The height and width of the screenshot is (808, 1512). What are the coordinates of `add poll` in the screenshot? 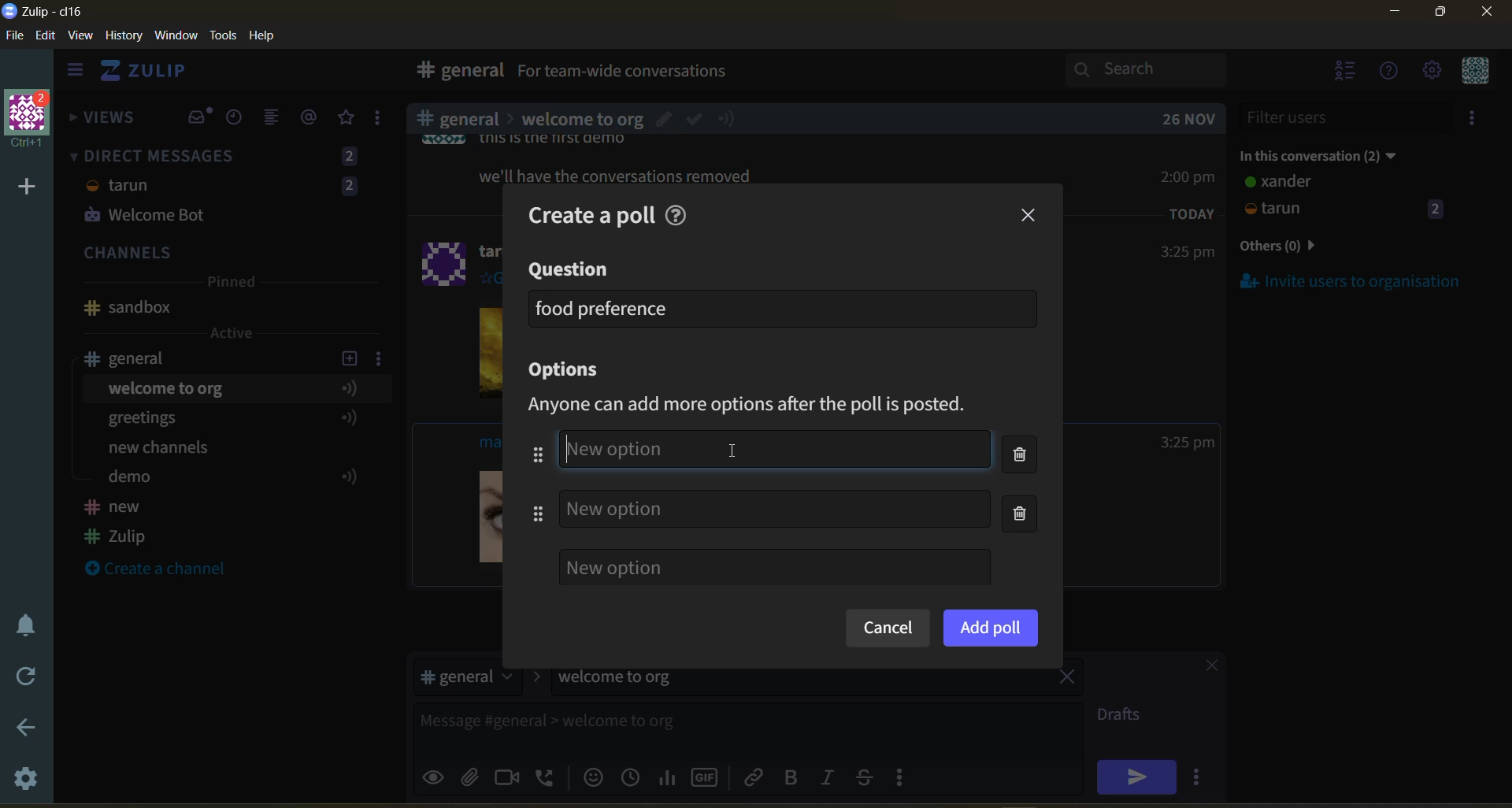 It's located at (991, 627).